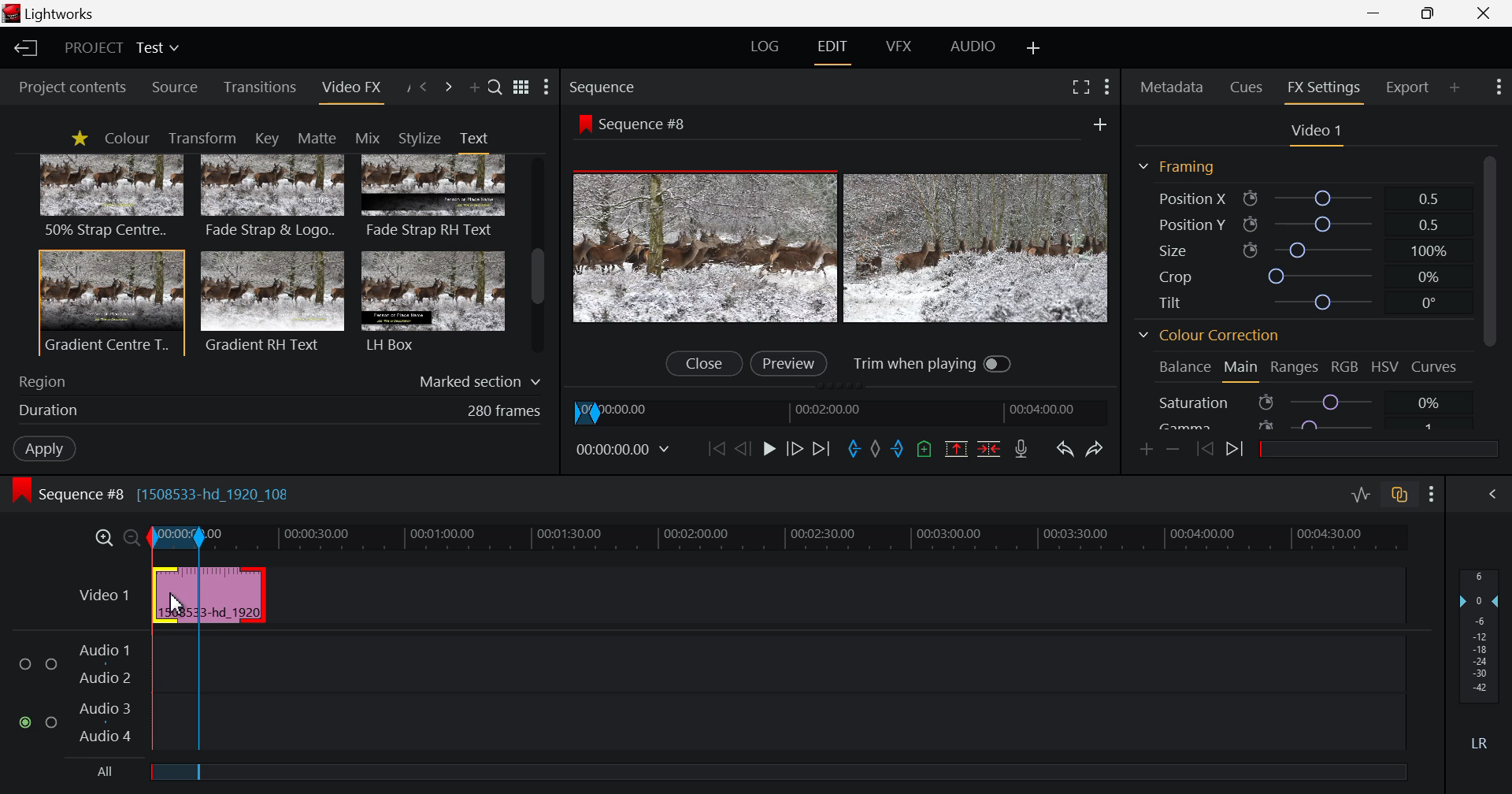  What do you see at coordinates (57, 14) in the screenshot?
I see `Lightworks` at bounding box center [57, 14].